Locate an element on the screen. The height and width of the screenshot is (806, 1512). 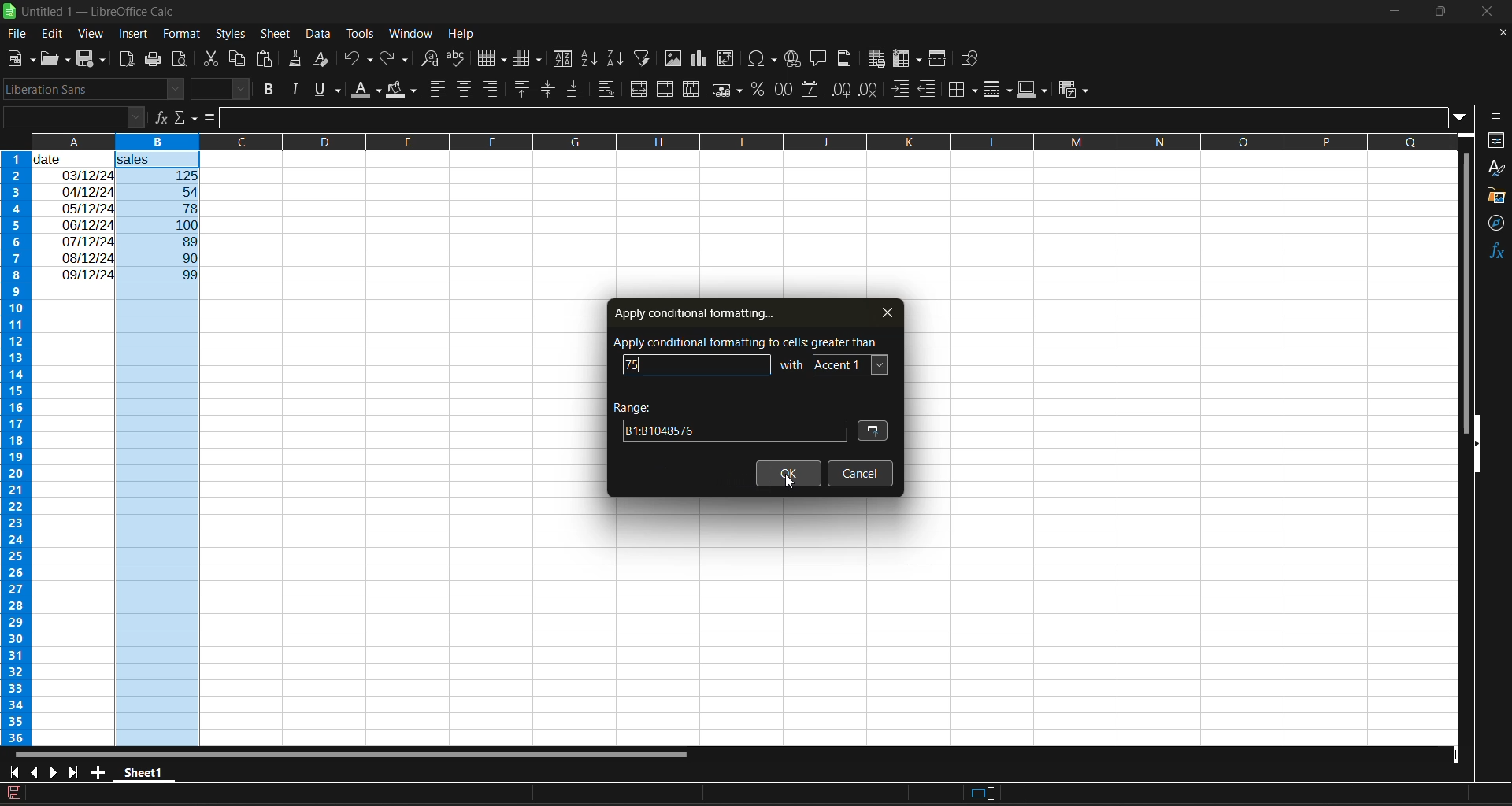
wrap text is located at coordinates (609, 89).